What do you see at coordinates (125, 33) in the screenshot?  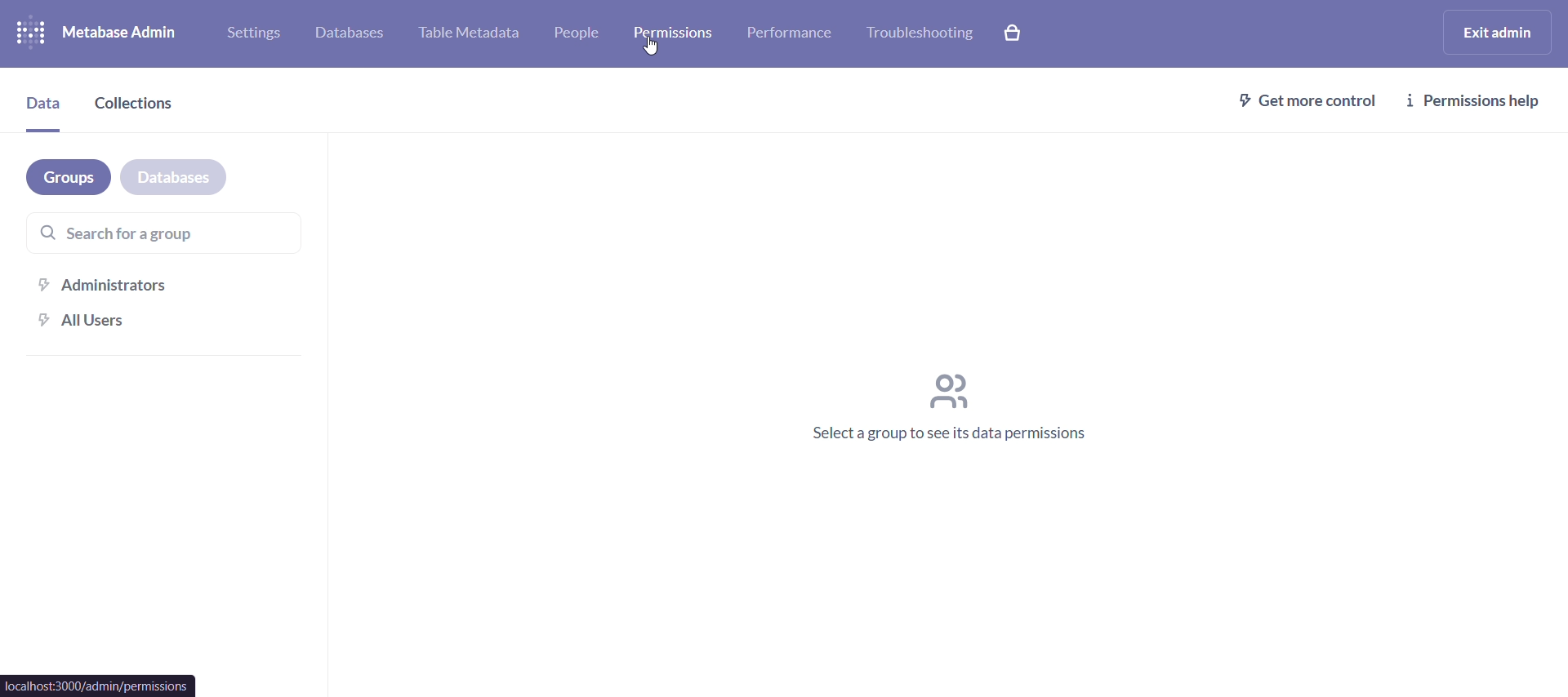 I see `metabase admin` at bounding box center [125, 33].